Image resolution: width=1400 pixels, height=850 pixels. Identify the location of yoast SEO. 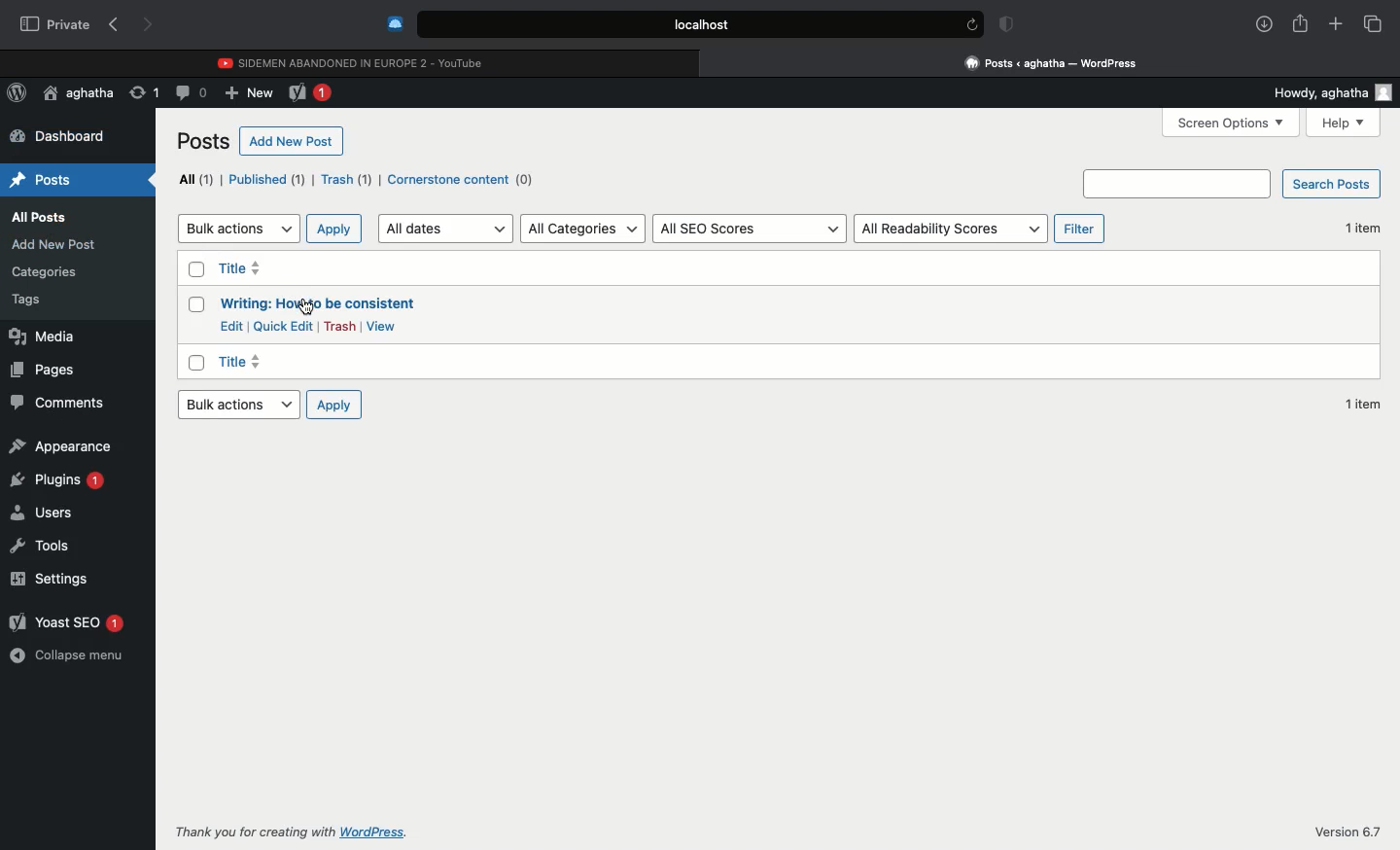
(69, 624).